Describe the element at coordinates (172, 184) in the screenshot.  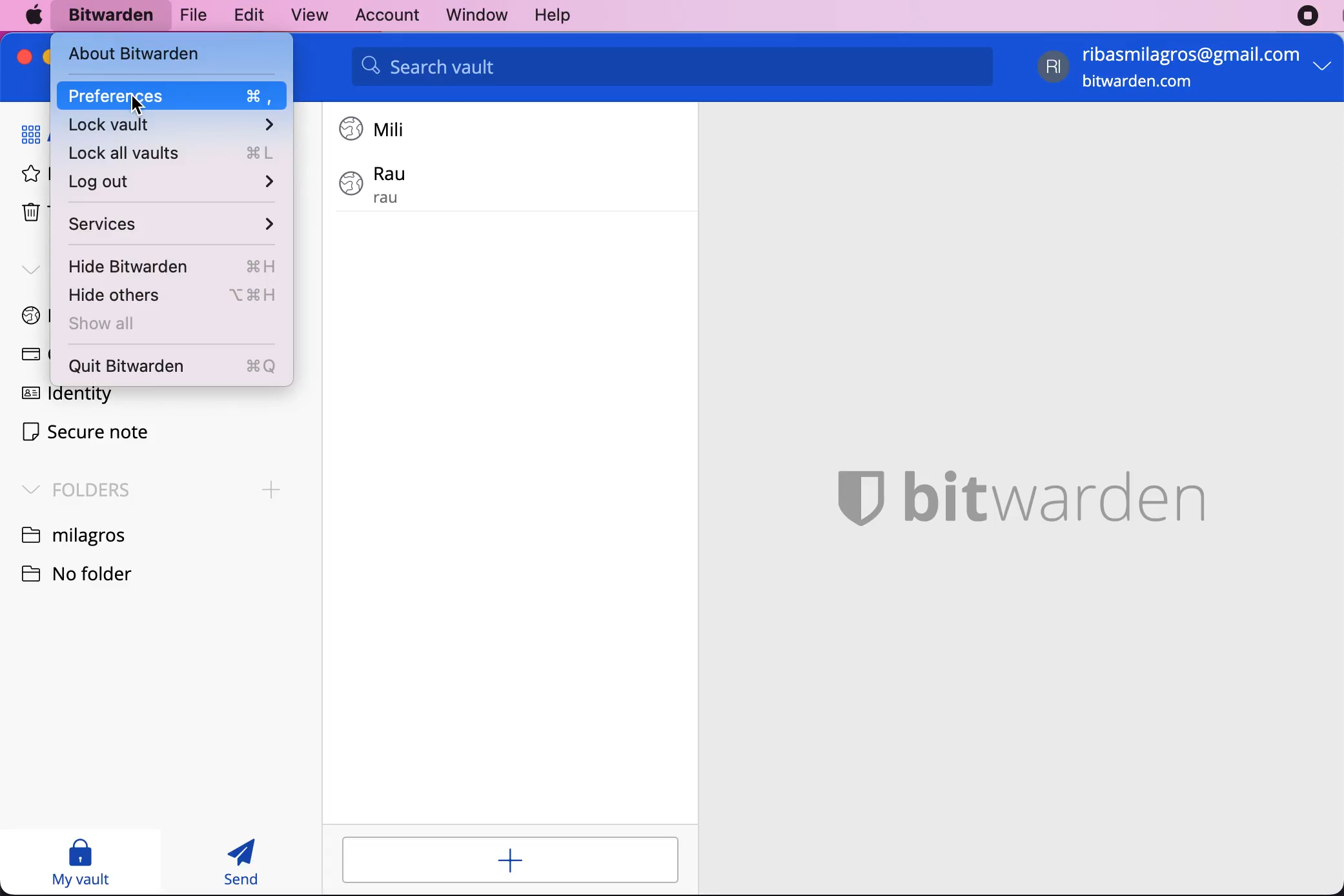
I see `log out` at that location.